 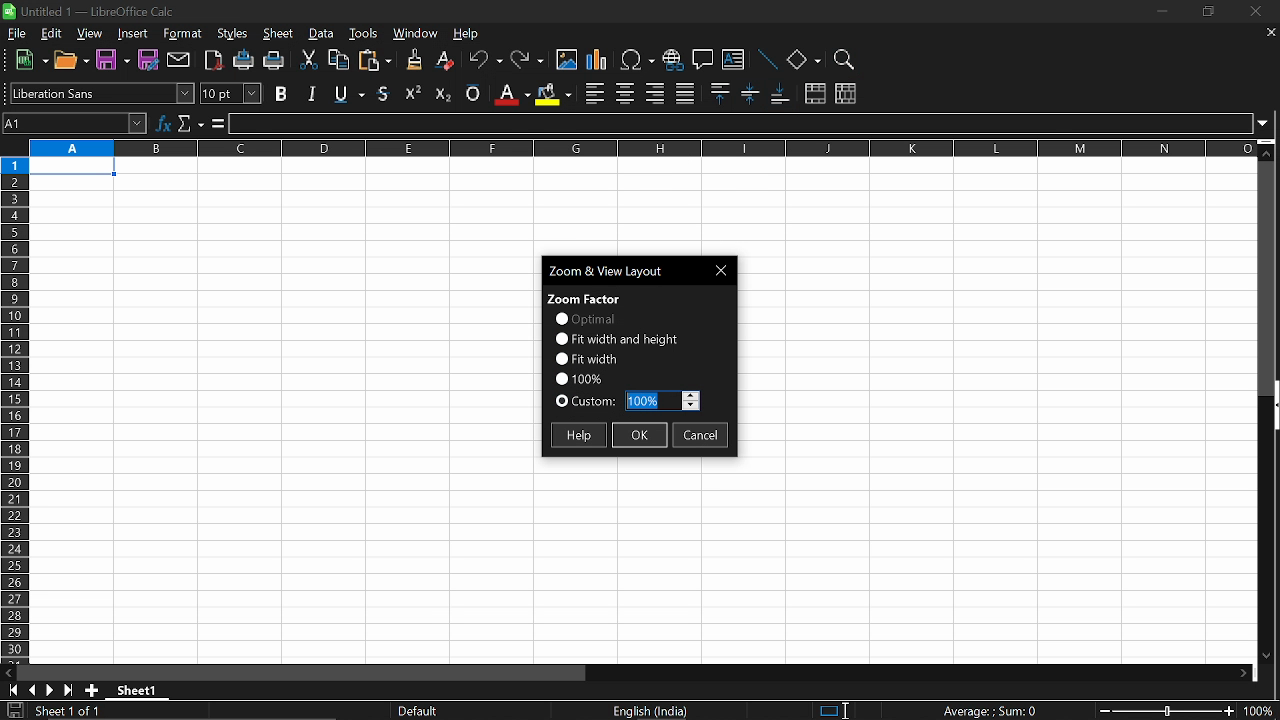 What do you see at coordinates (718, 93) in the screenshot?
I see `align top` at bounding box center [718, 93].